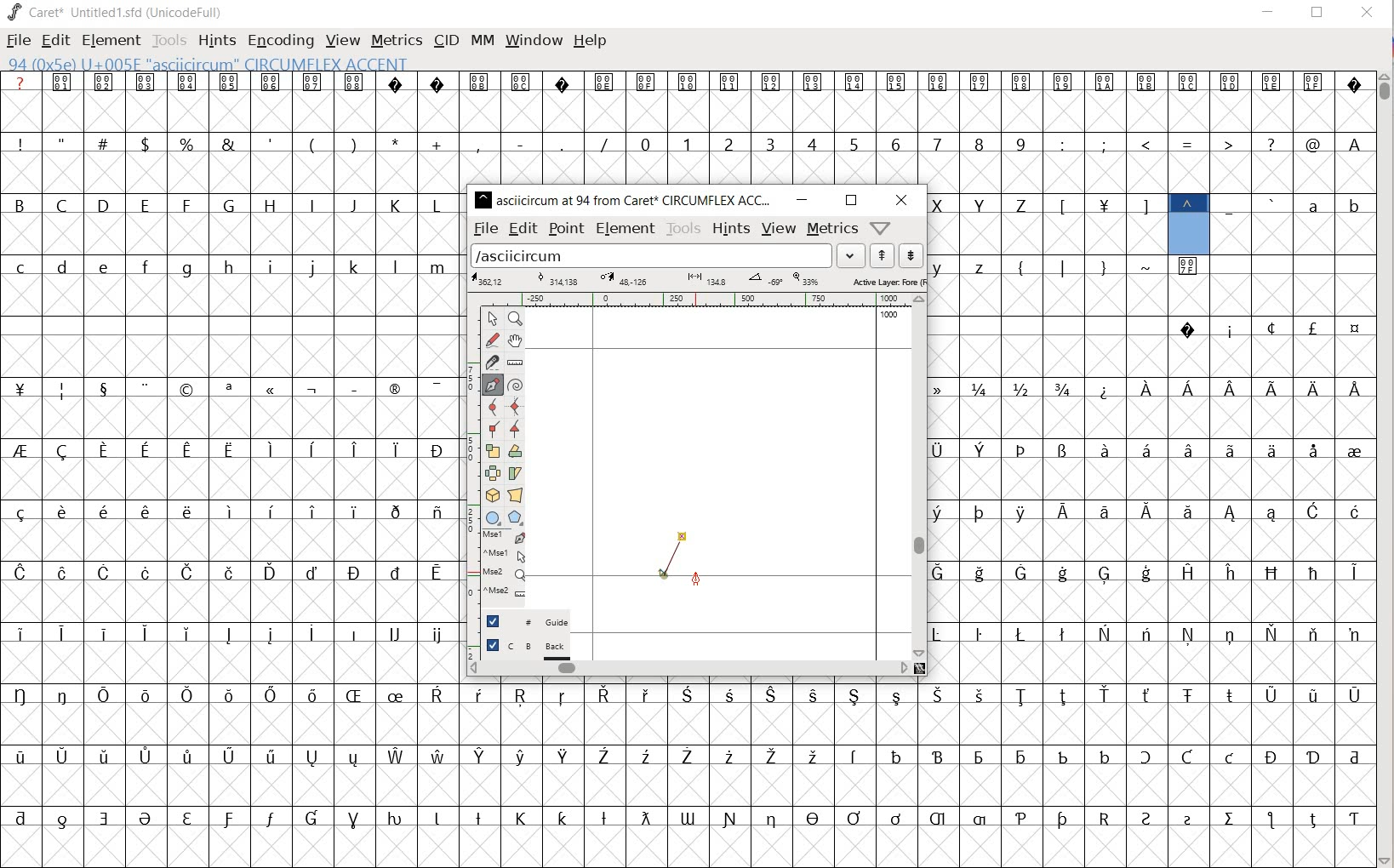 The image size is (1394, 868). What do you see at coordinates (494, 408) in the screenshot?
I see `add a curve point` at bounding box center [494, 408].